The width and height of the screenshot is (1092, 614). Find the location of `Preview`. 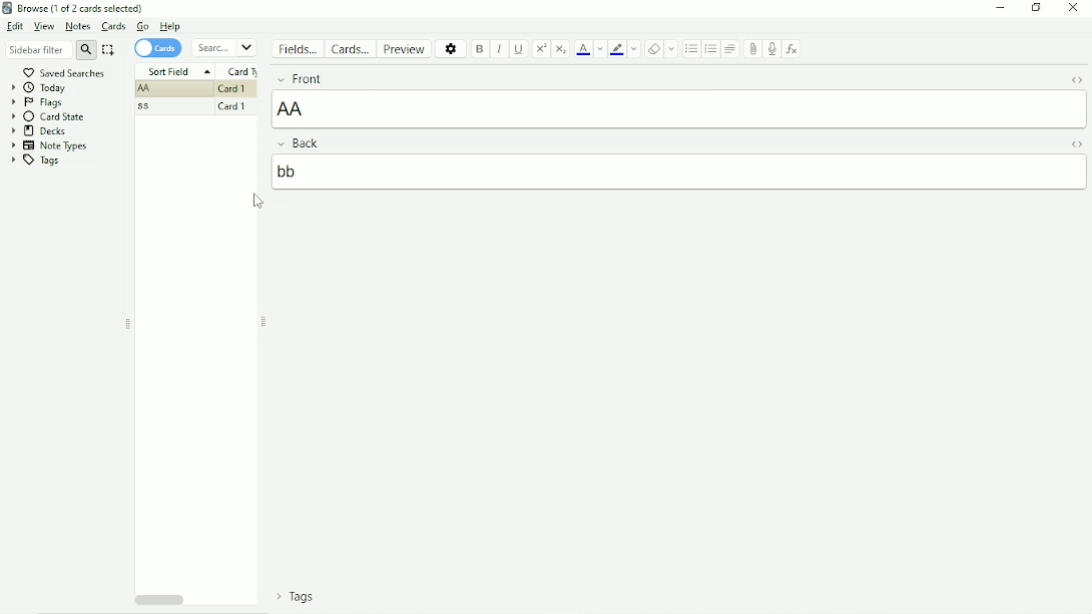

Preview is located at coordinates (404, 48).